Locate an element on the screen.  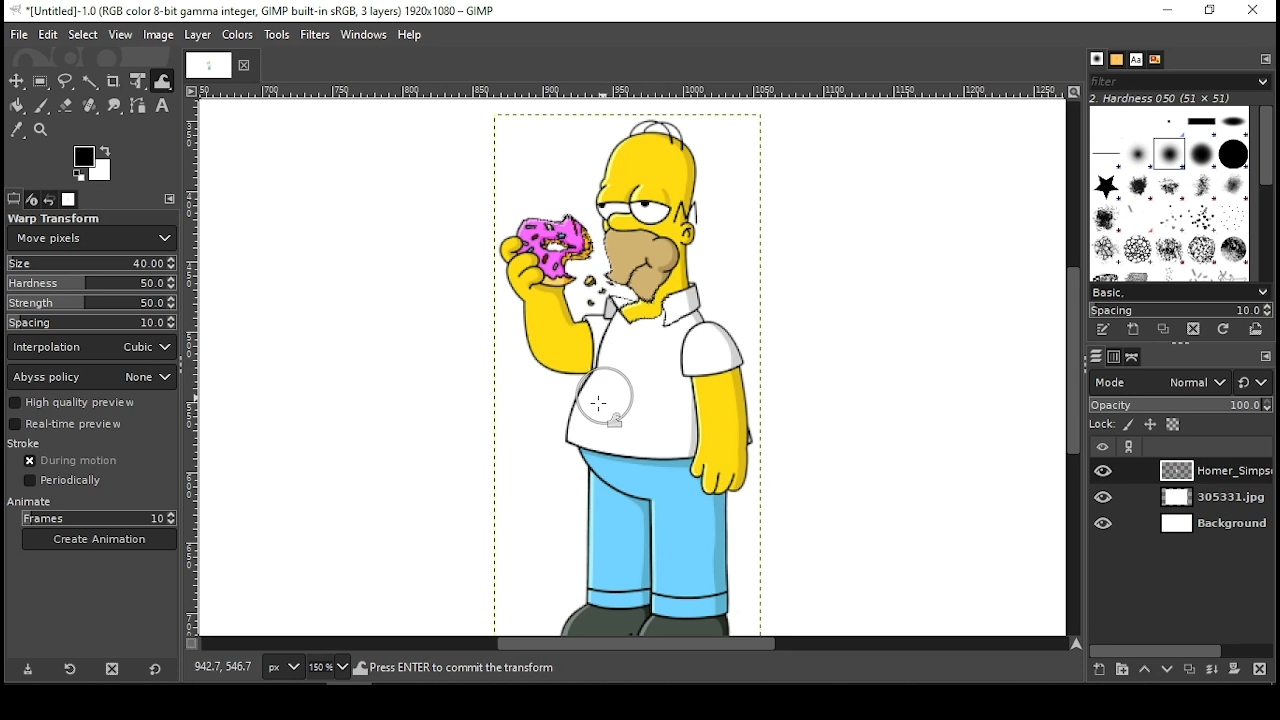
filters is located at coordinates (315, 35).